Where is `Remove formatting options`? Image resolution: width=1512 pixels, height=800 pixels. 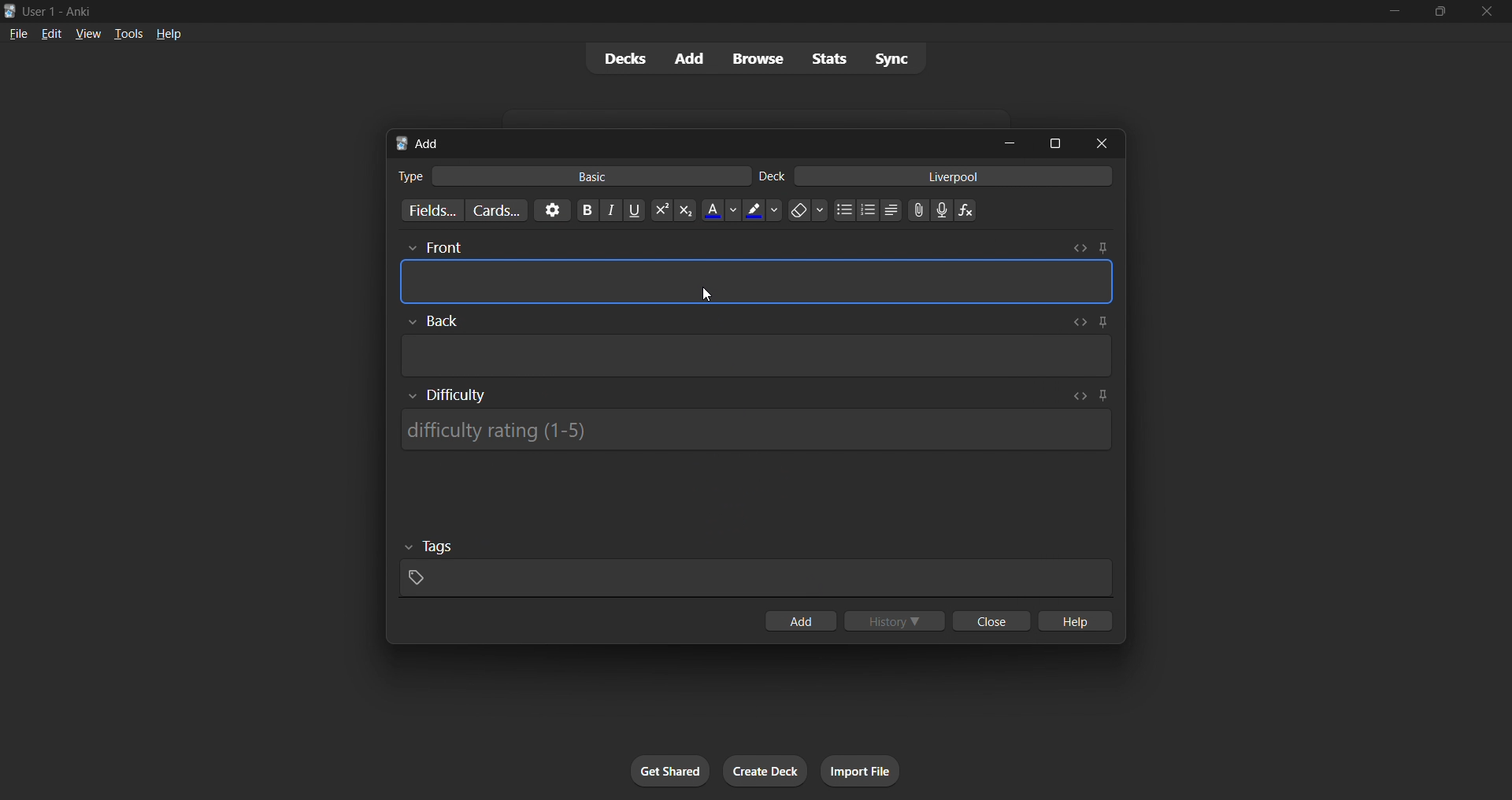
Remove formatting options is located at coordinates (809, 210).